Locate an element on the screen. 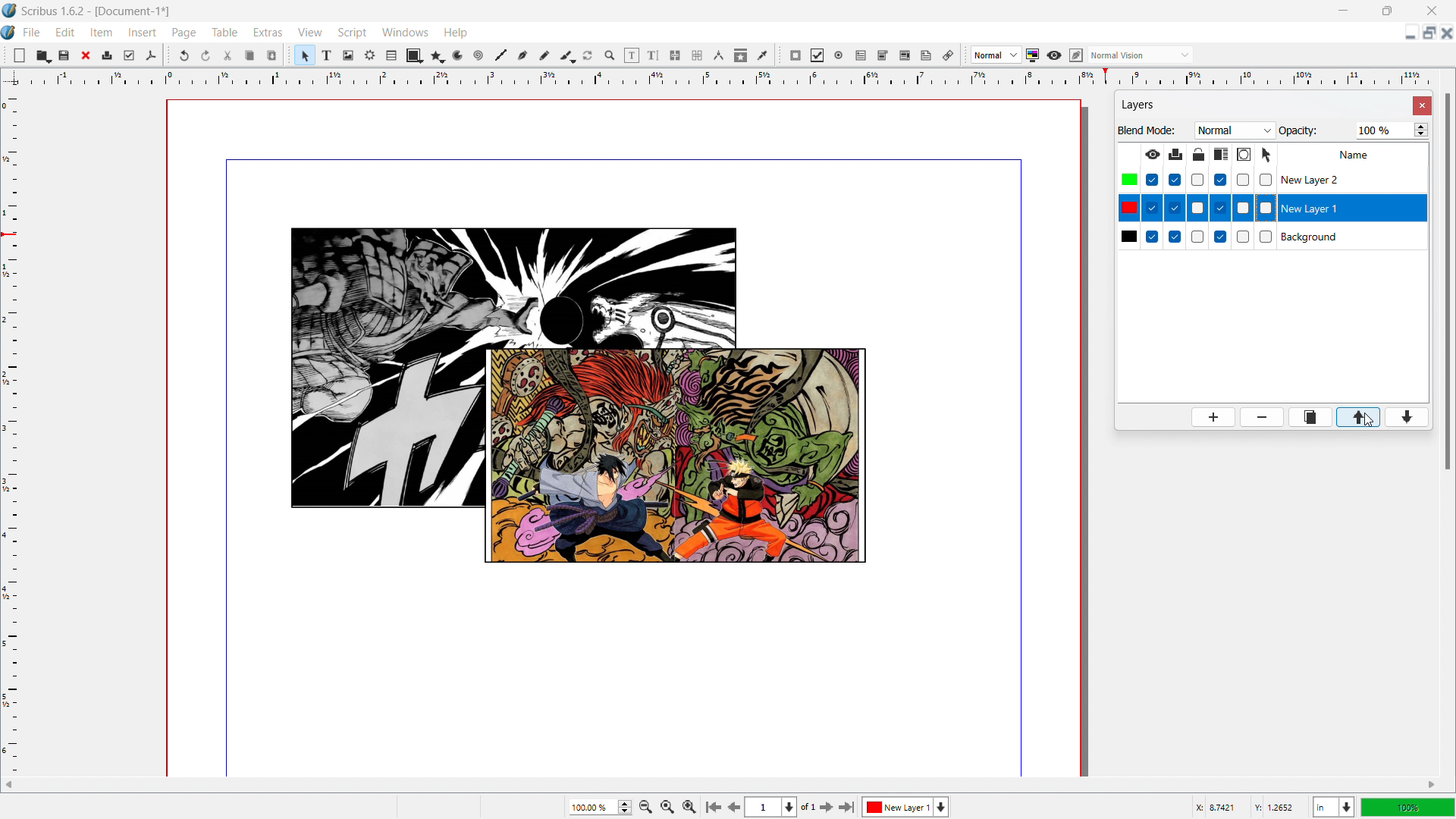  scroll right is located at coordinates (1430, 786).